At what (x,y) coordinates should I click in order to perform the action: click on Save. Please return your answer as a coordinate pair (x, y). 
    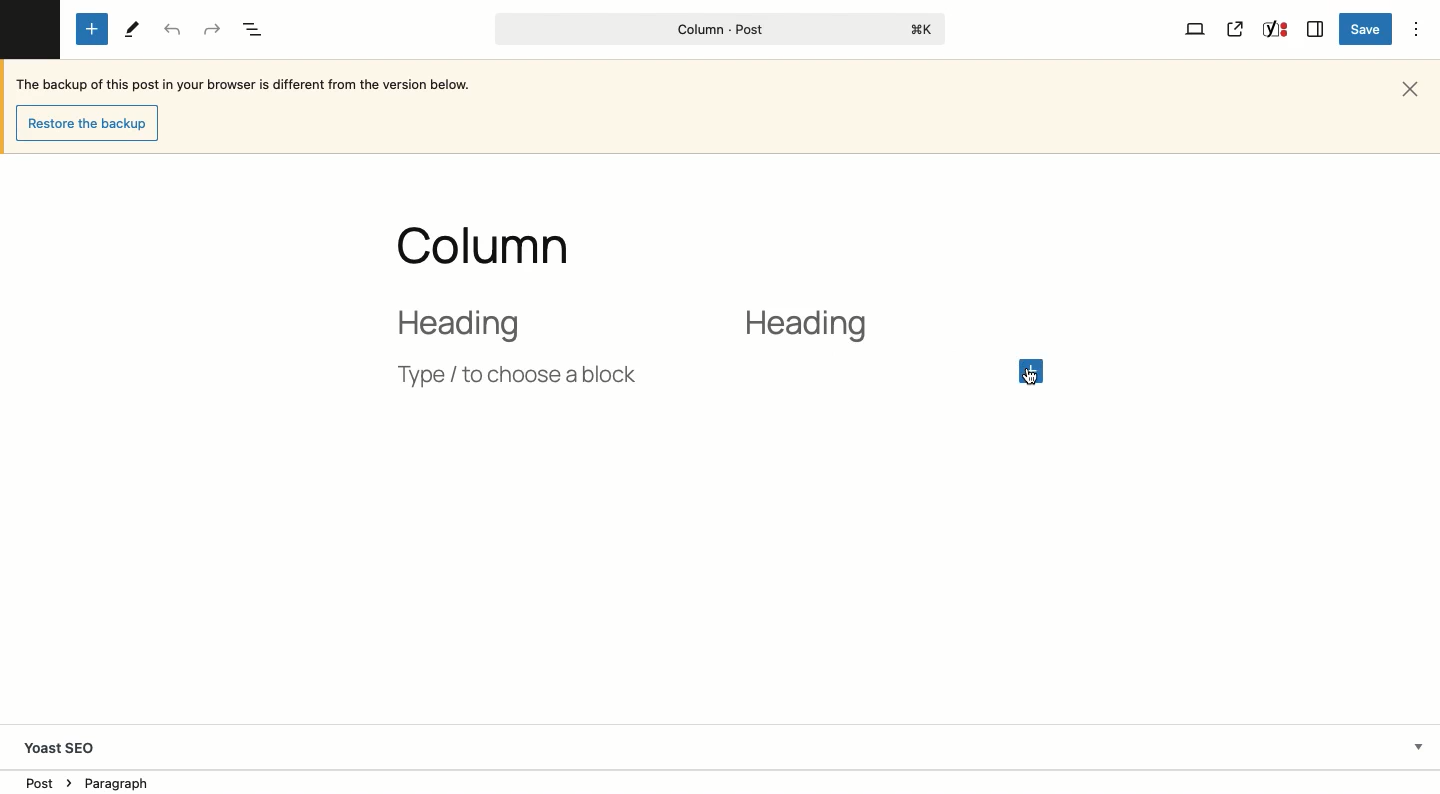
    Looking at the image, I should click on (1368, 30).